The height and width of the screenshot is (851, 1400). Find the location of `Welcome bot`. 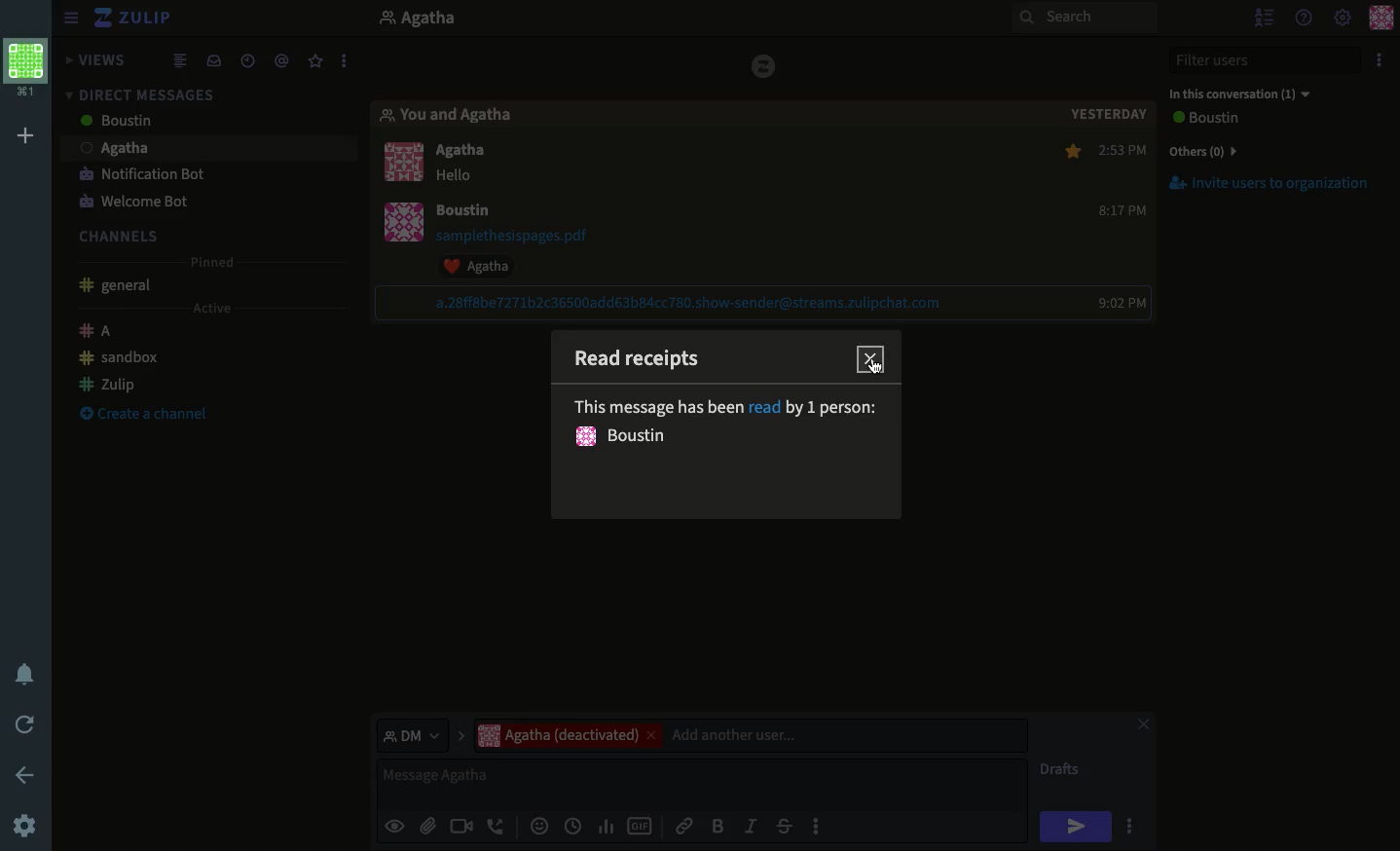

Welcome bot is located at coordinates (133, 202).